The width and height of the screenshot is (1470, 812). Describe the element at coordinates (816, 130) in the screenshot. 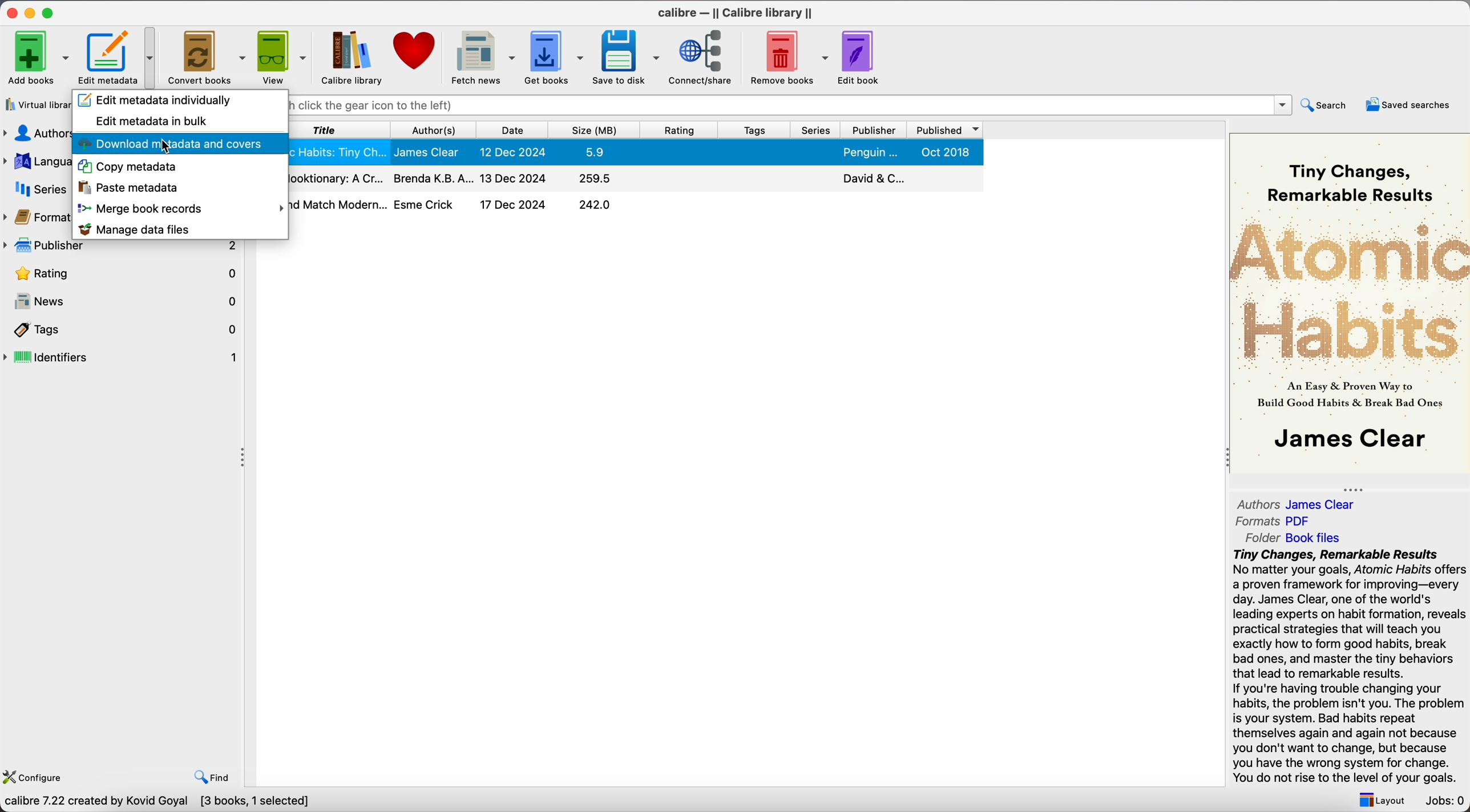

I see `series` at that location.